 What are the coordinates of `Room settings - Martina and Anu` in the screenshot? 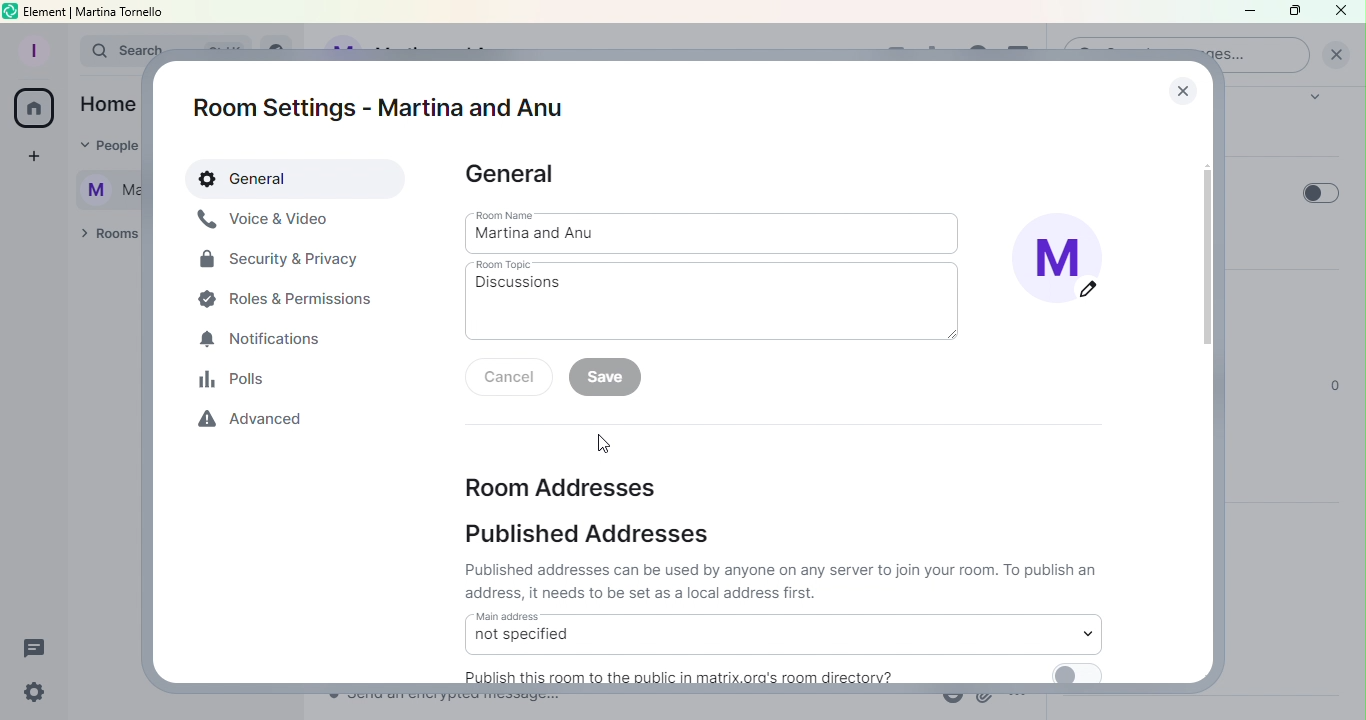 It's located at (385, 108).